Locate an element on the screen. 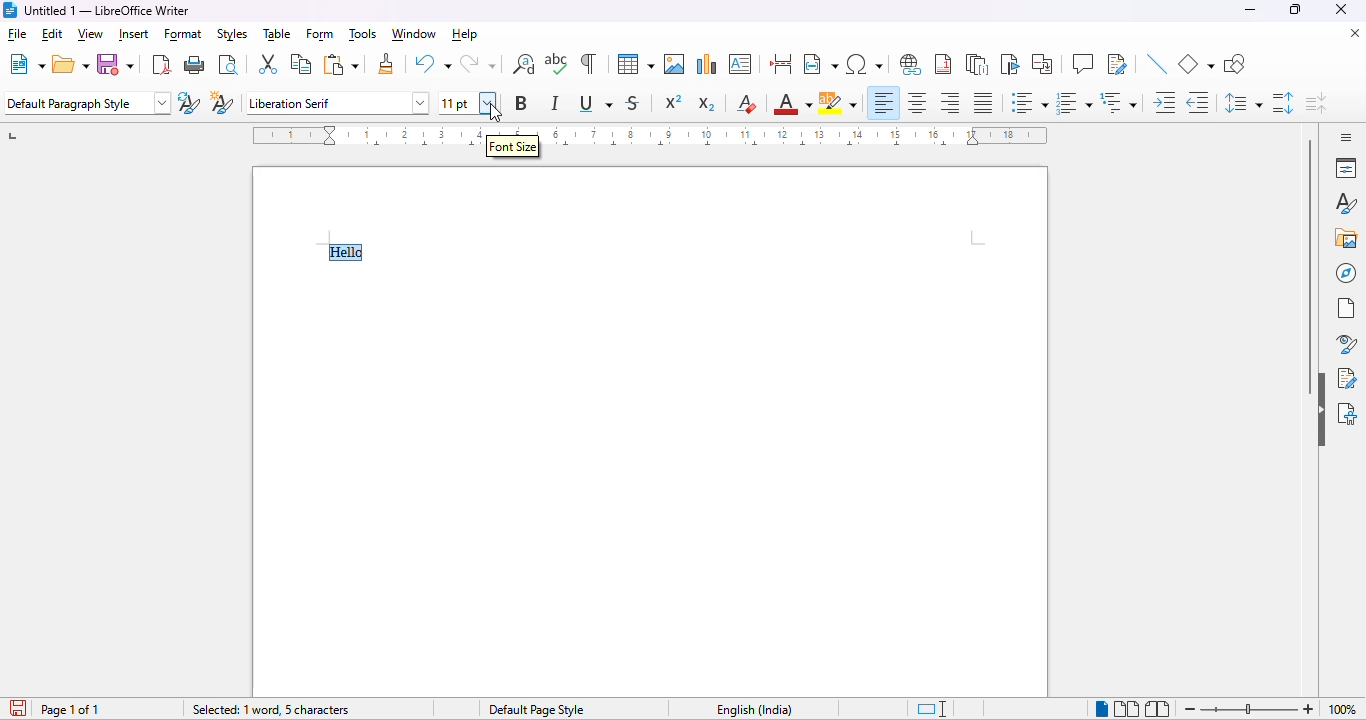 The width and height of the screenshot is (1366, 720). bold is located at coordinates (522, 103).